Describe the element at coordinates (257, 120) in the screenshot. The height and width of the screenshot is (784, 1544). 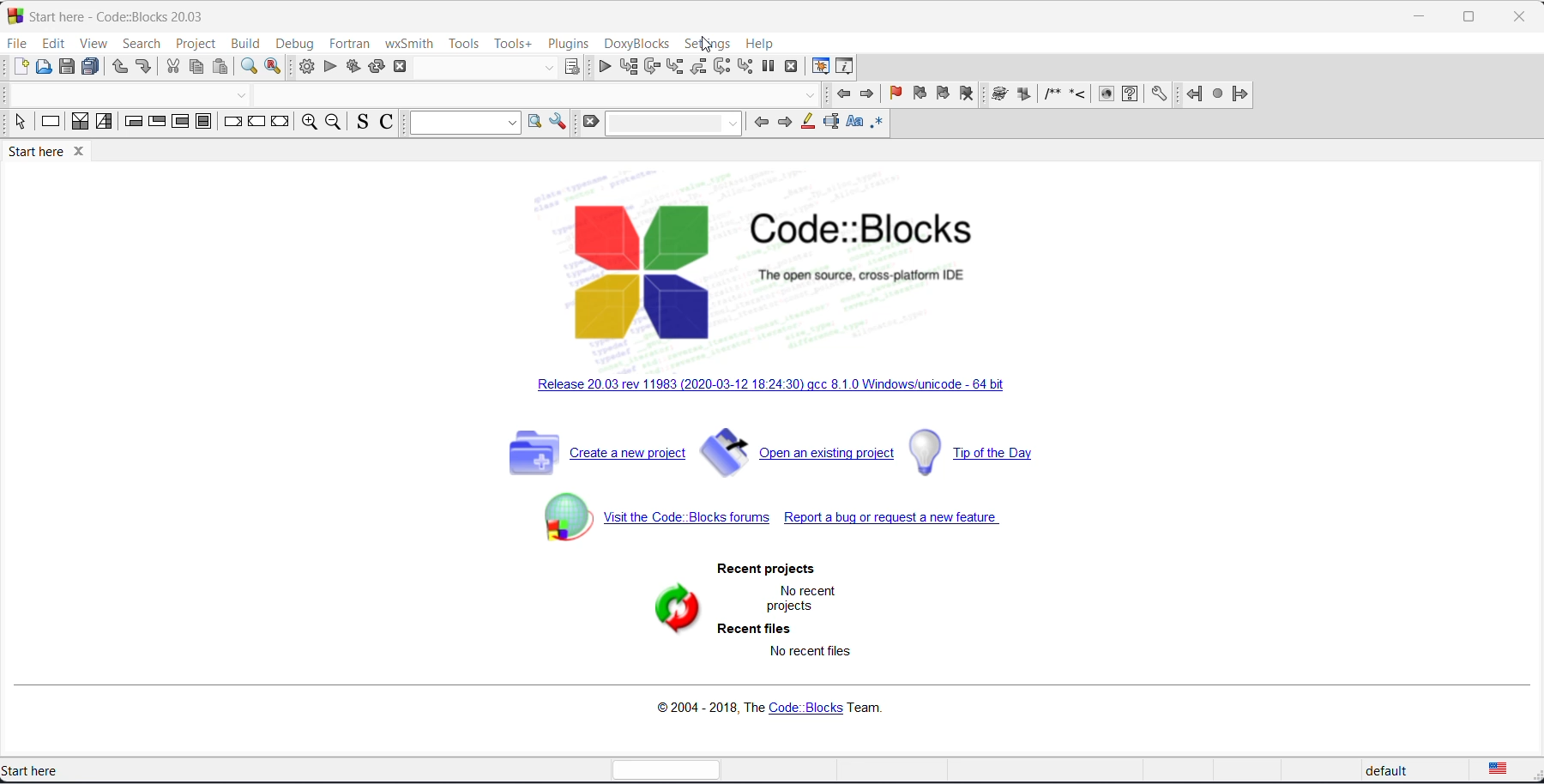
I see `continue instruction` at that location.